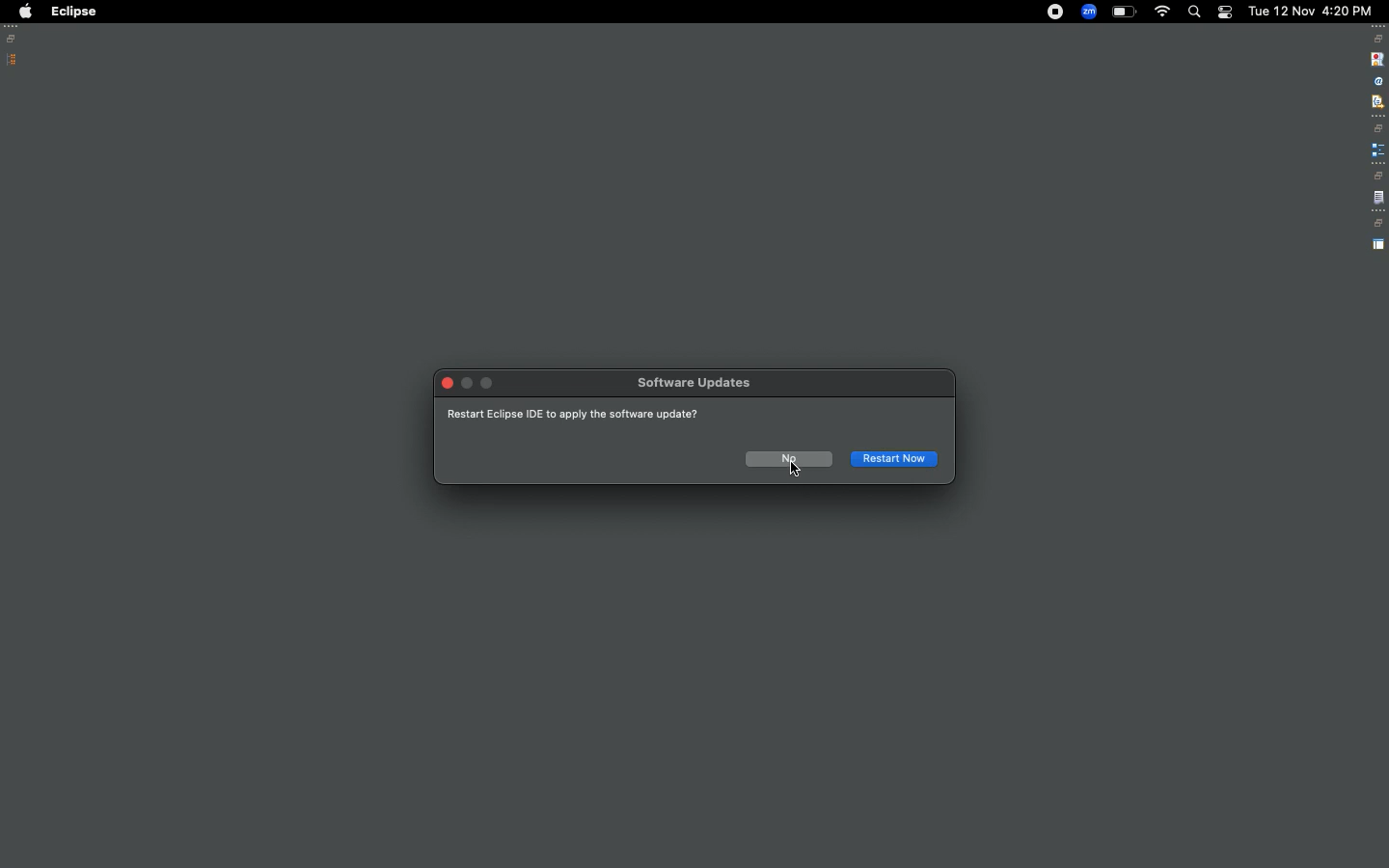  Describe the element at coordinates (24, 12) in the screenshot. I see `Apple logo` at that location.